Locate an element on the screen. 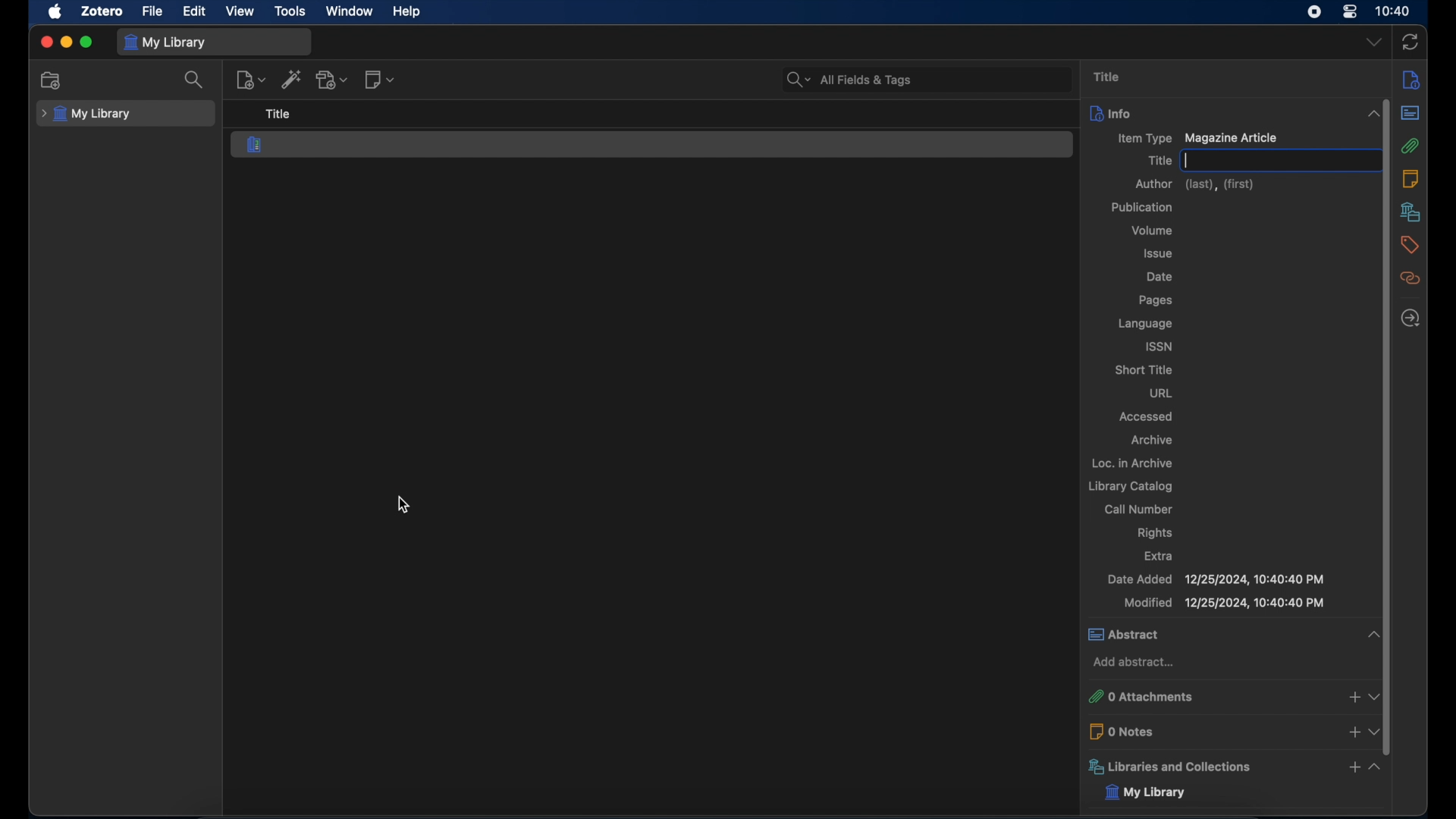 The image size is (1456, 819). abstract is located at coordinates (1414, 114).